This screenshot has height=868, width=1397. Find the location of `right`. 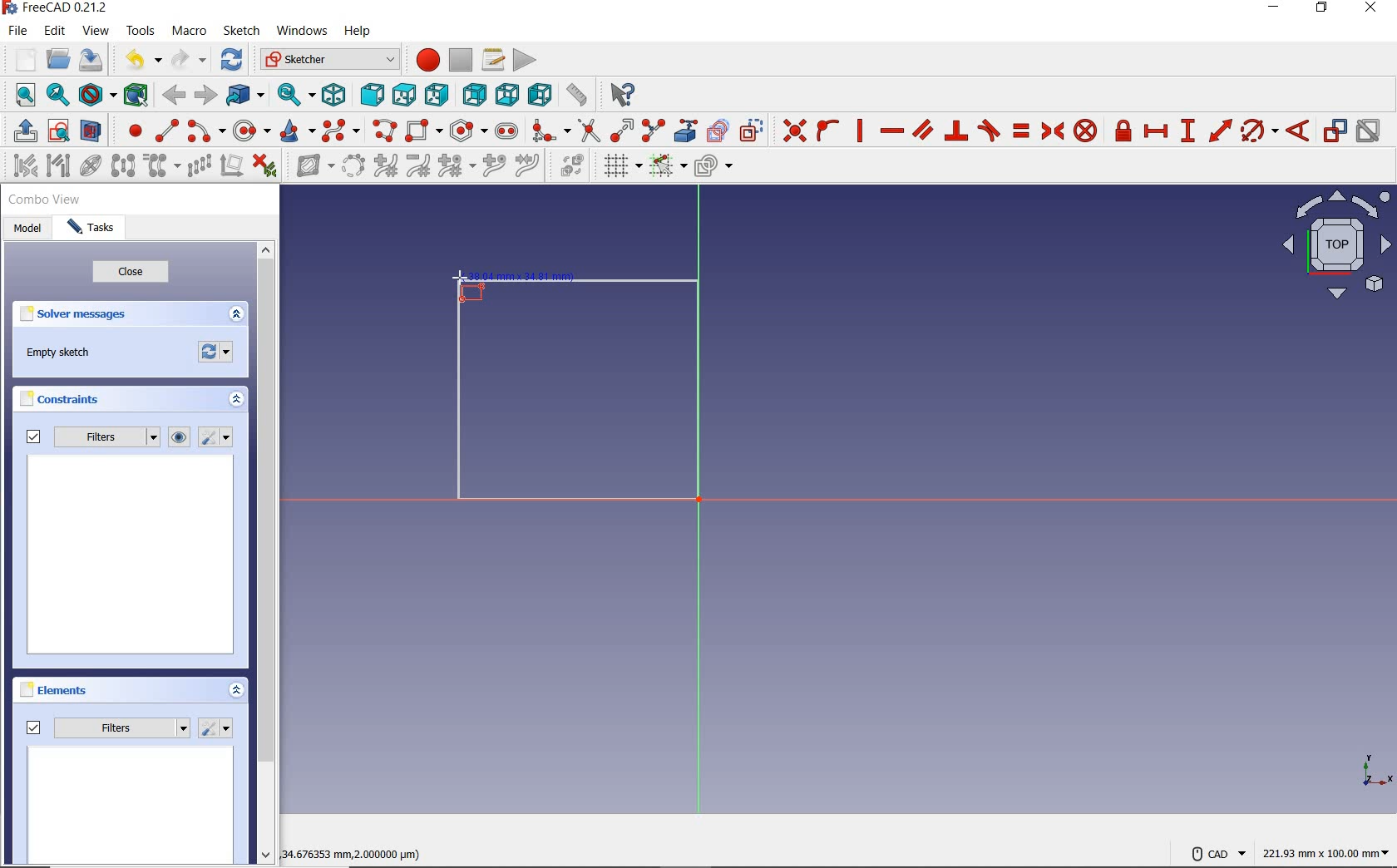

right is located at coordinates (438, 95).